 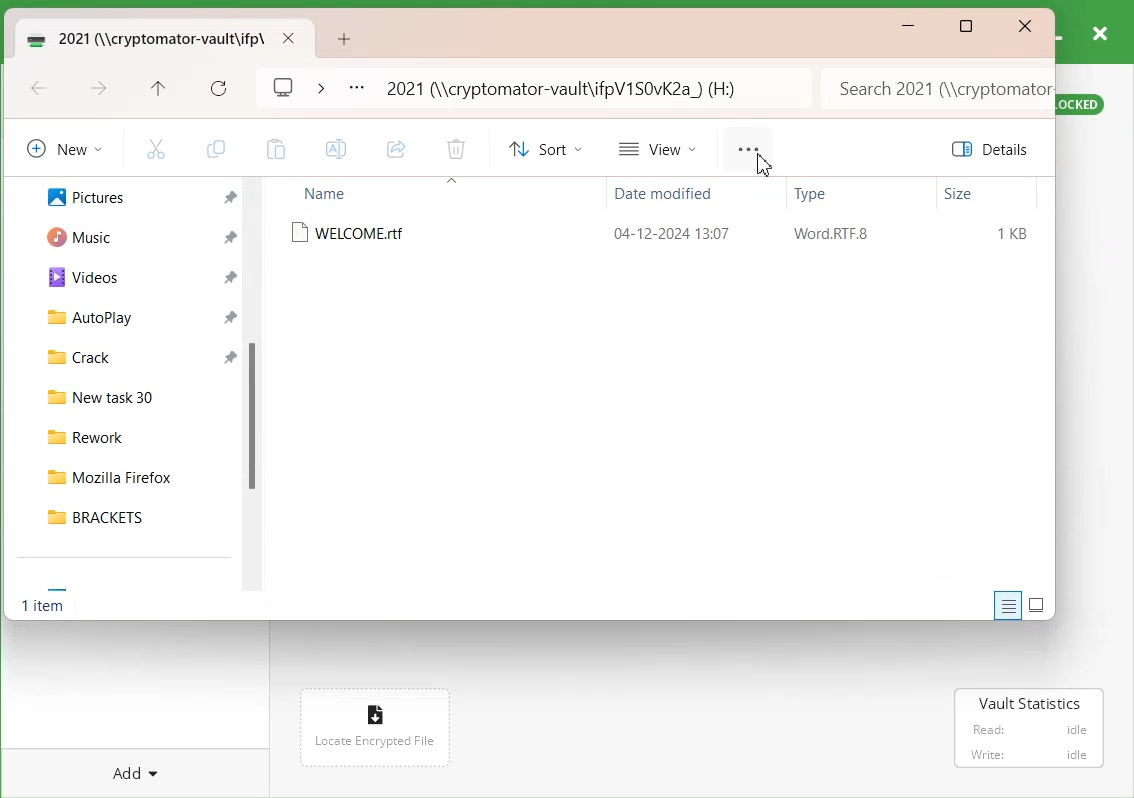 I want to click on BRACKETS, so click(x=131, y=516).